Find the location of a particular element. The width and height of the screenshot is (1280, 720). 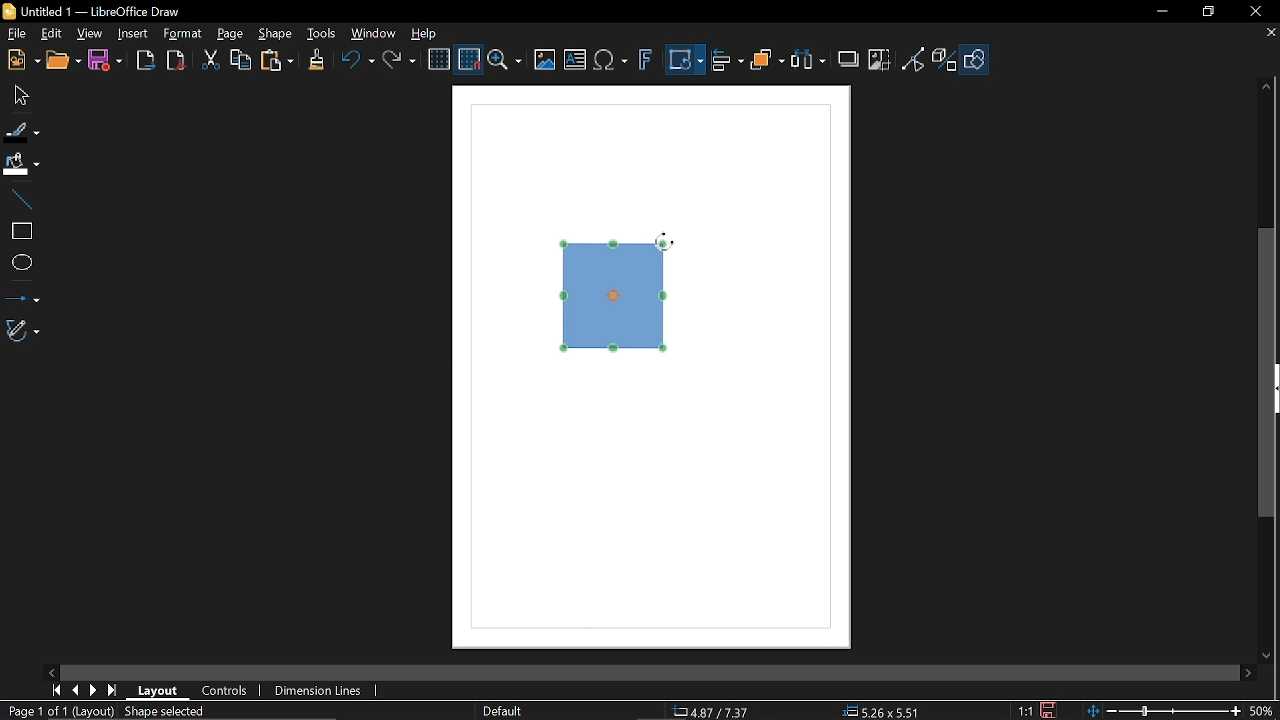

Export to pdf is located at coordinates (174, 60).